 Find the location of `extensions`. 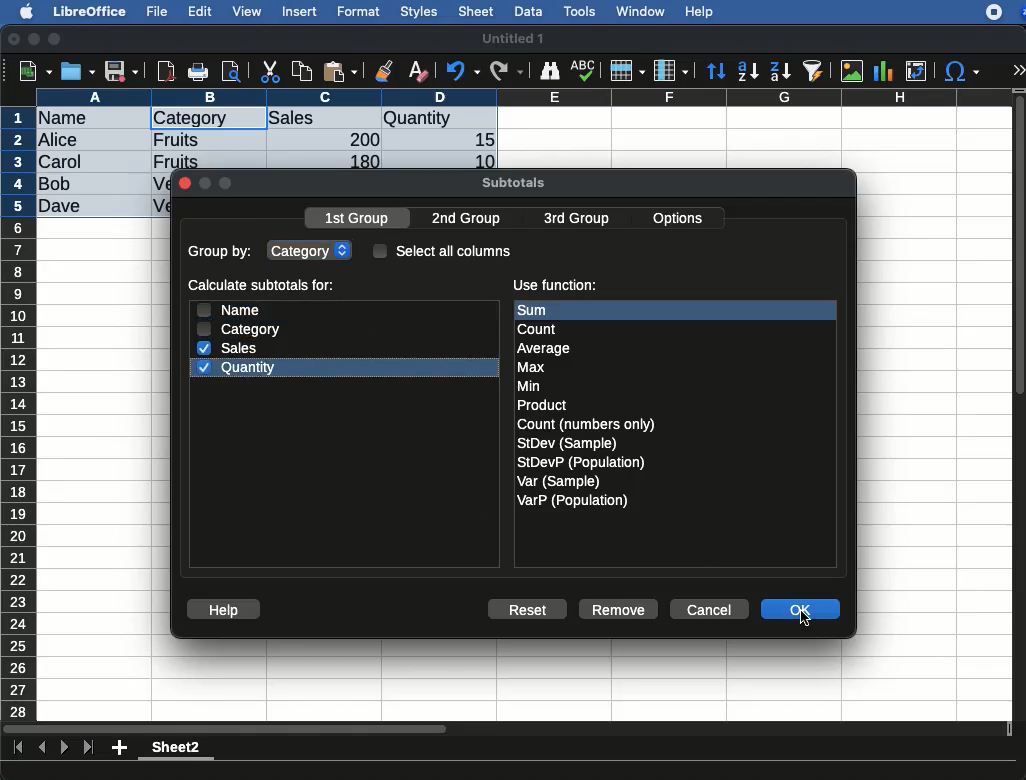

extensions is located at coordinates (1005, 12).